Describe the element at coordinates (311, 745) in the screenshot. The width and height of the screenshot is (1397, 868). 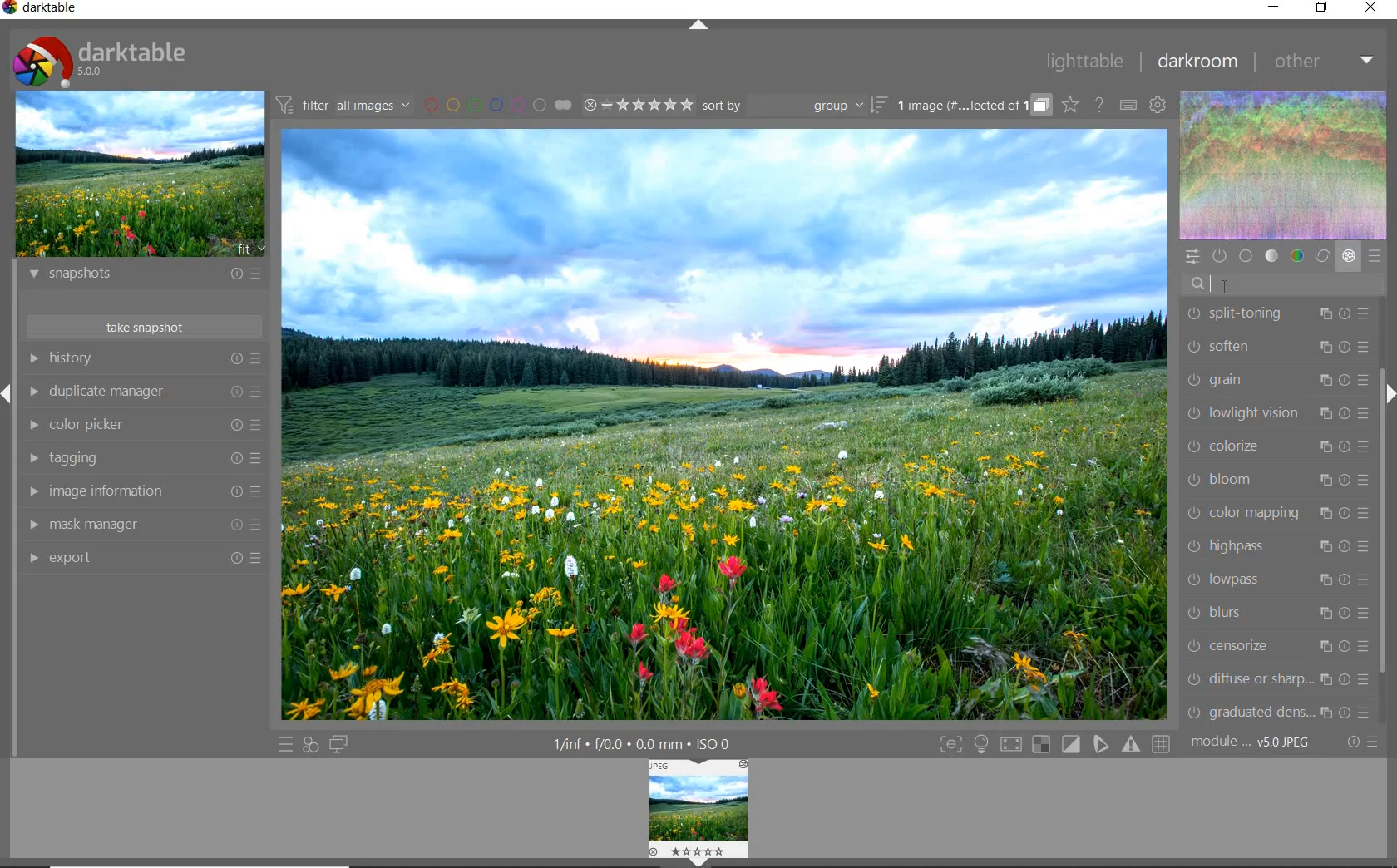
I see `quick access for applying any of your styles` at that location.